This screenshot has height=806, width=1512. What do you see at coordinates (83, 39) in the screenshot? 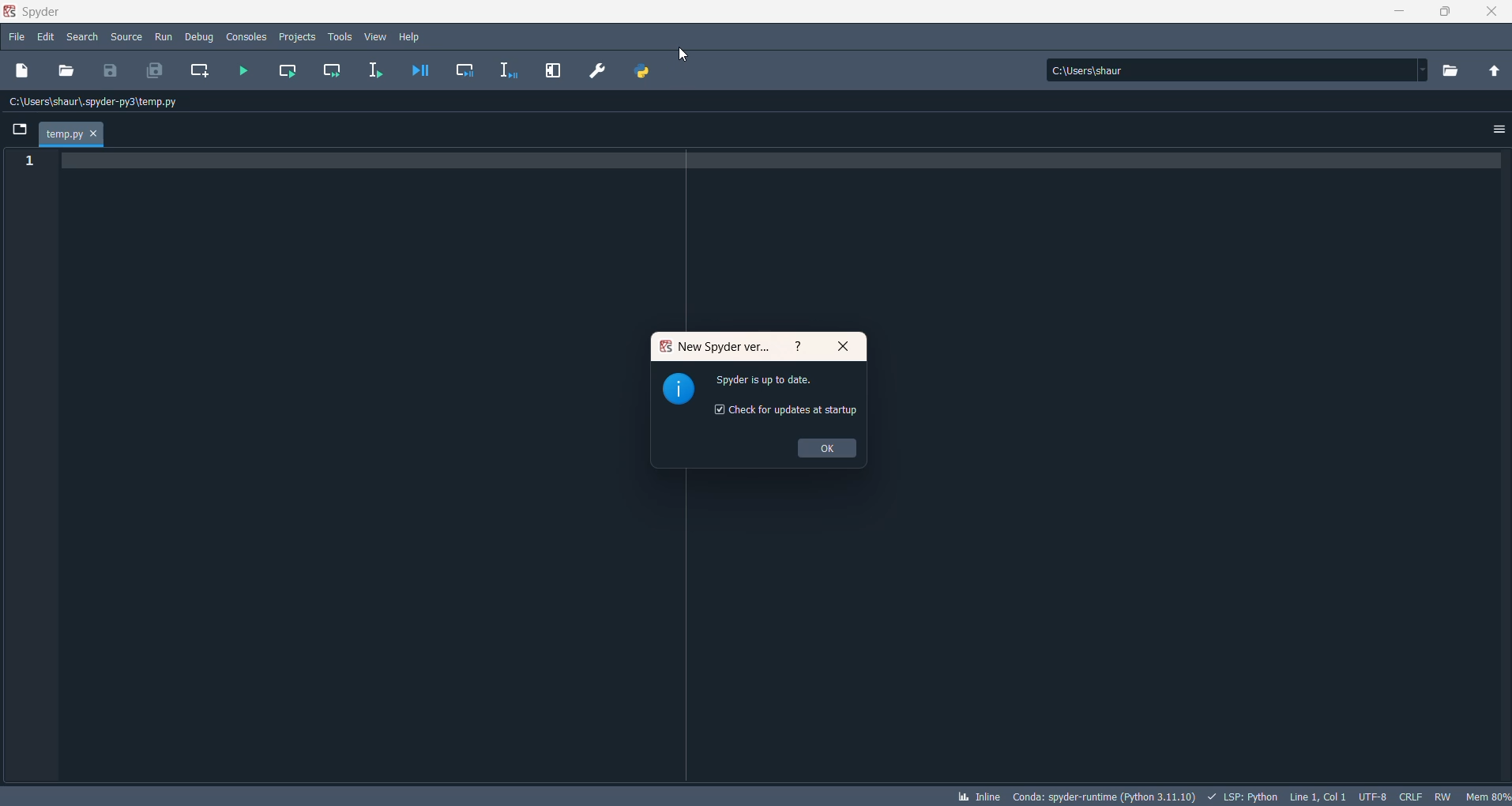
I see `search` at bounding box center [83, 39].